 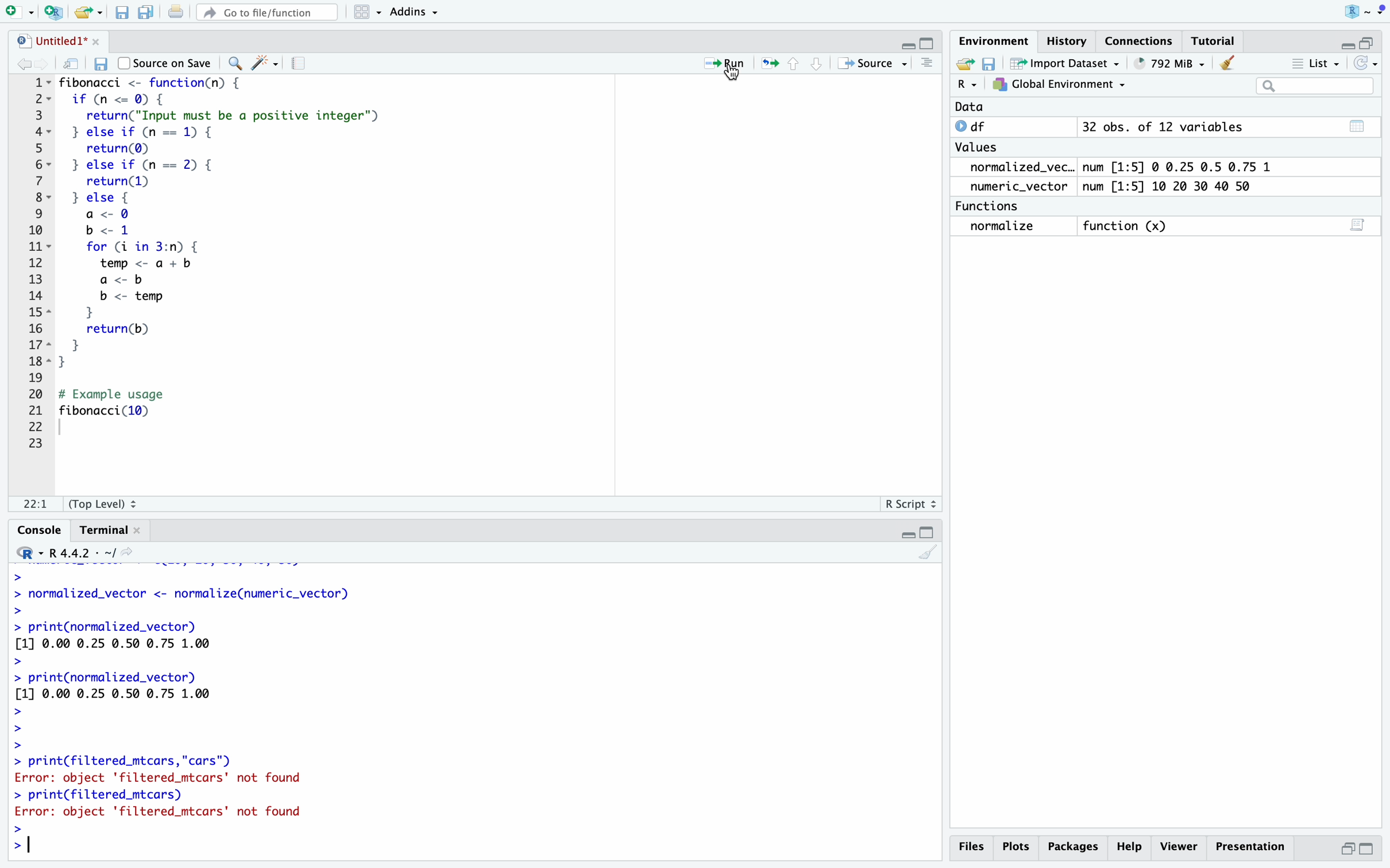 I want to click on console, so click(x=31, y=530).